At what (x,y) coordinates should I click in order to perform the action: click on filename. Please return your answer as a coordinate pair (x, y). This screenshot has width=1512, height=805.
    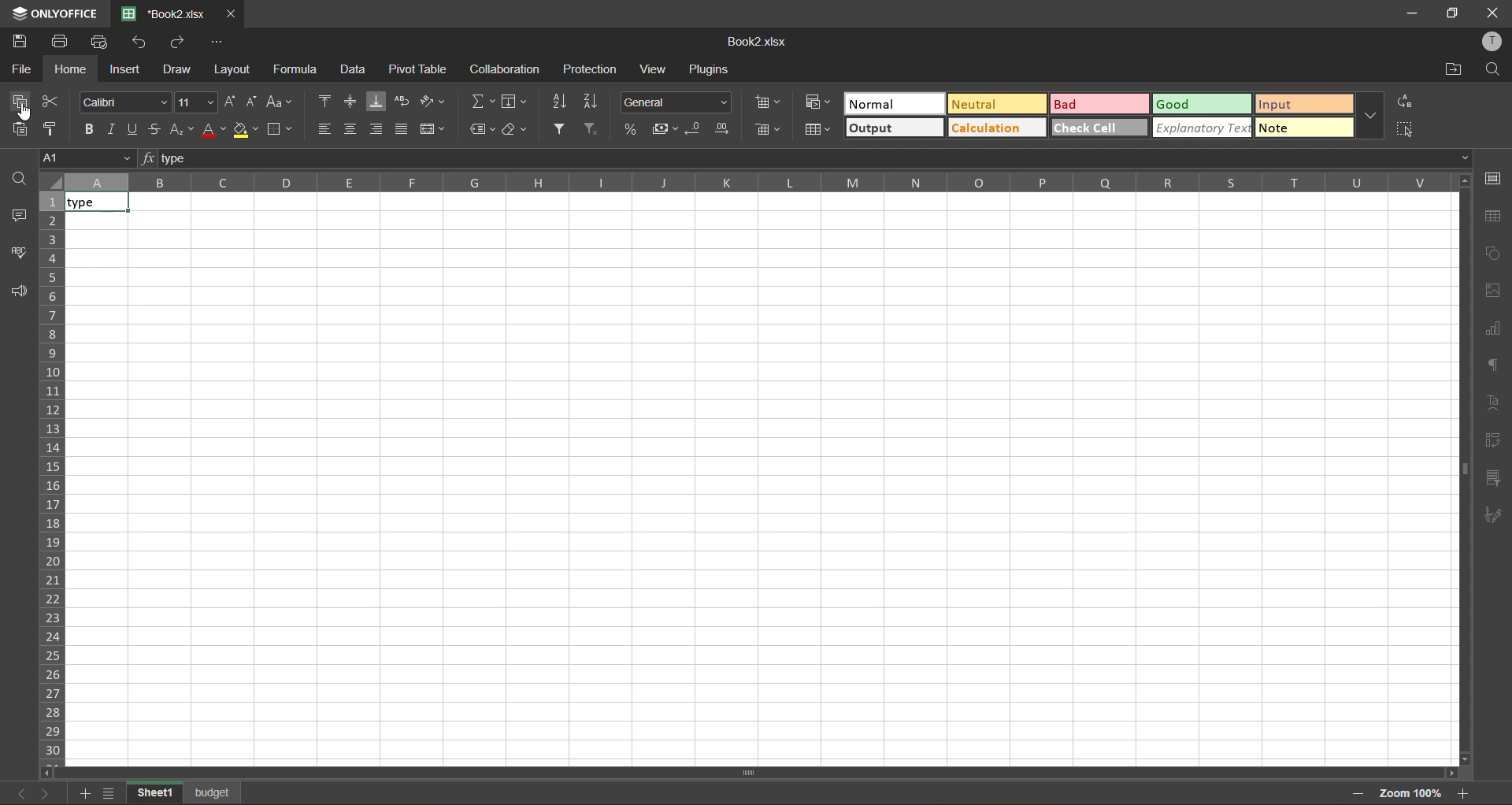
    Looking at the image, I should click on (762, 43).